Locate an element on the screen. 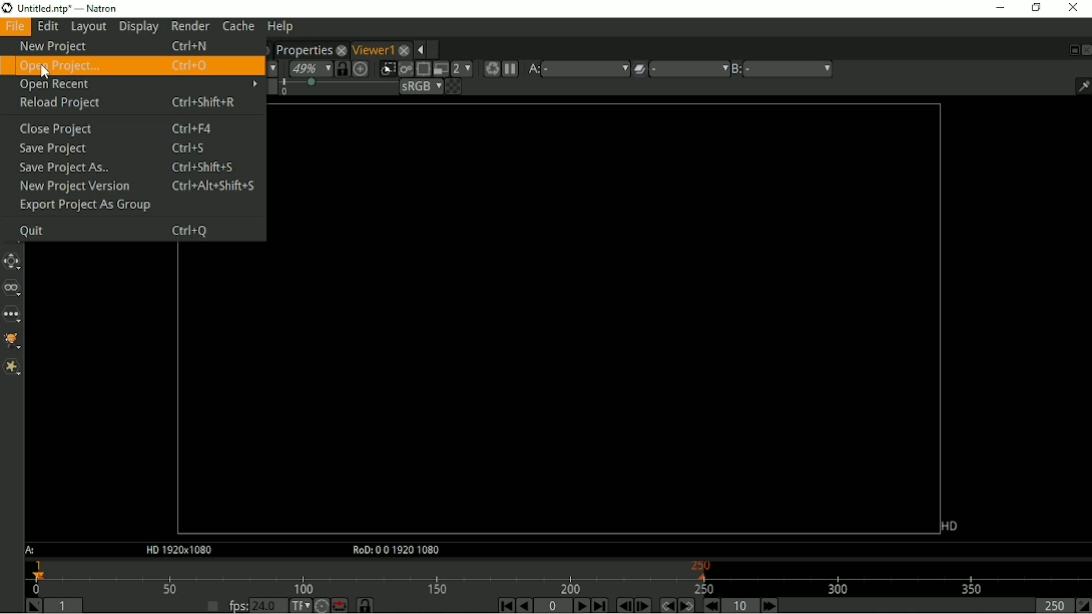  A is located at coordinates (32, 550).